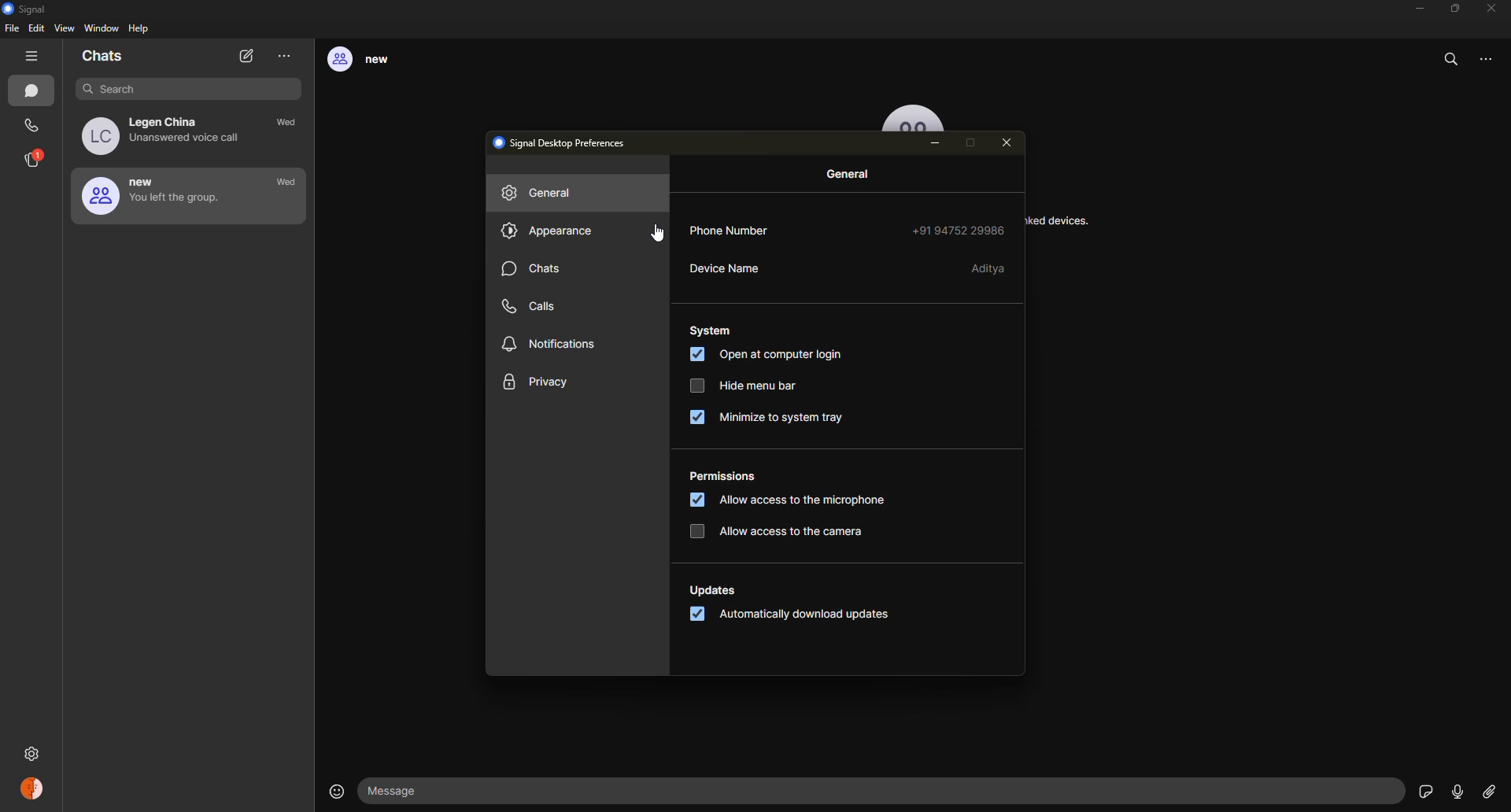 The image size is (1511, 812). Describe the element at coordinates (140, 30) in the screenshot. I see `help` at that location.